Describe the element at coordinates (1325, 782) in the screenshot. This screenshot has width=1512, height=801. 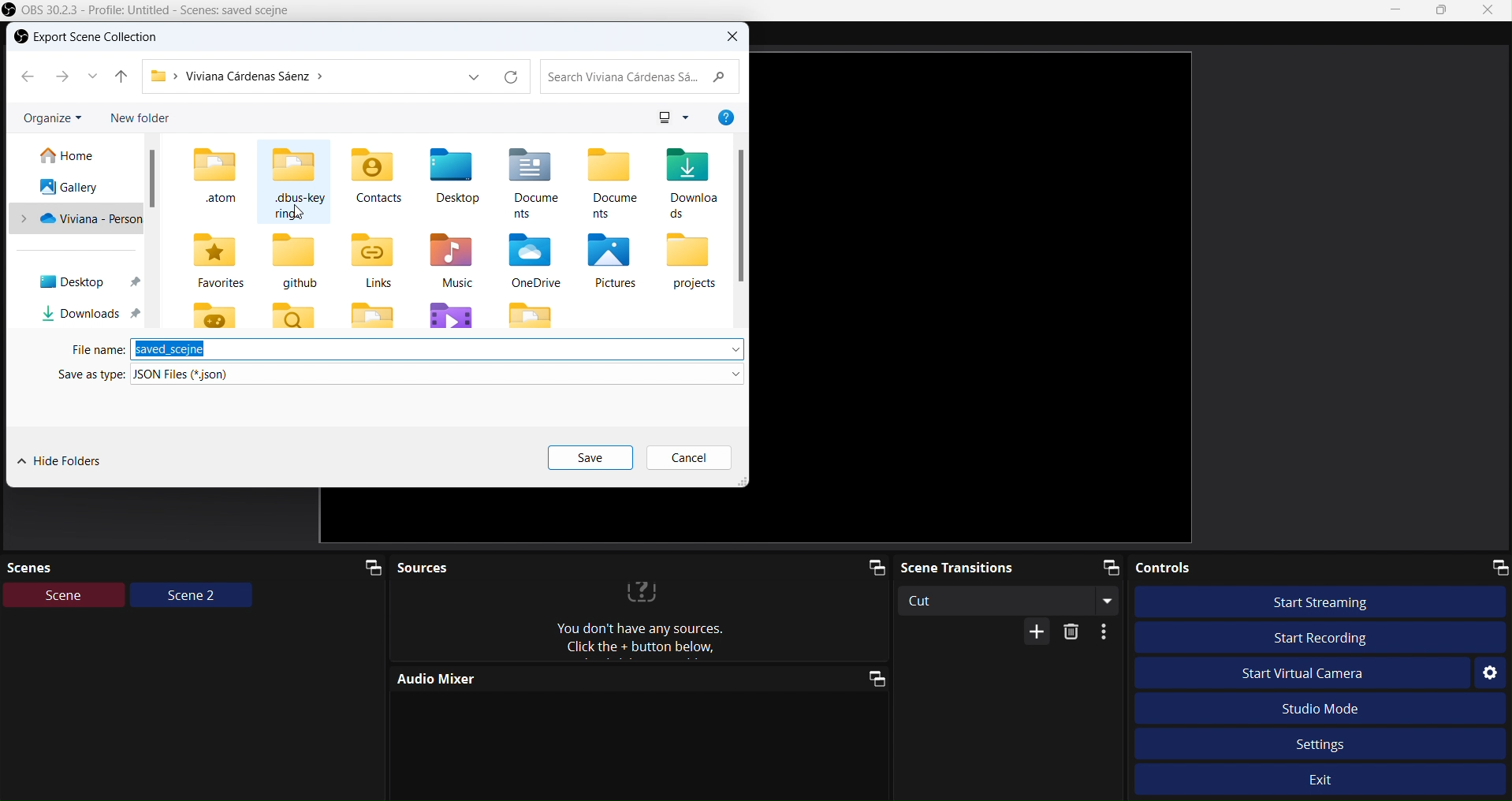
I see `Exit` at that location.